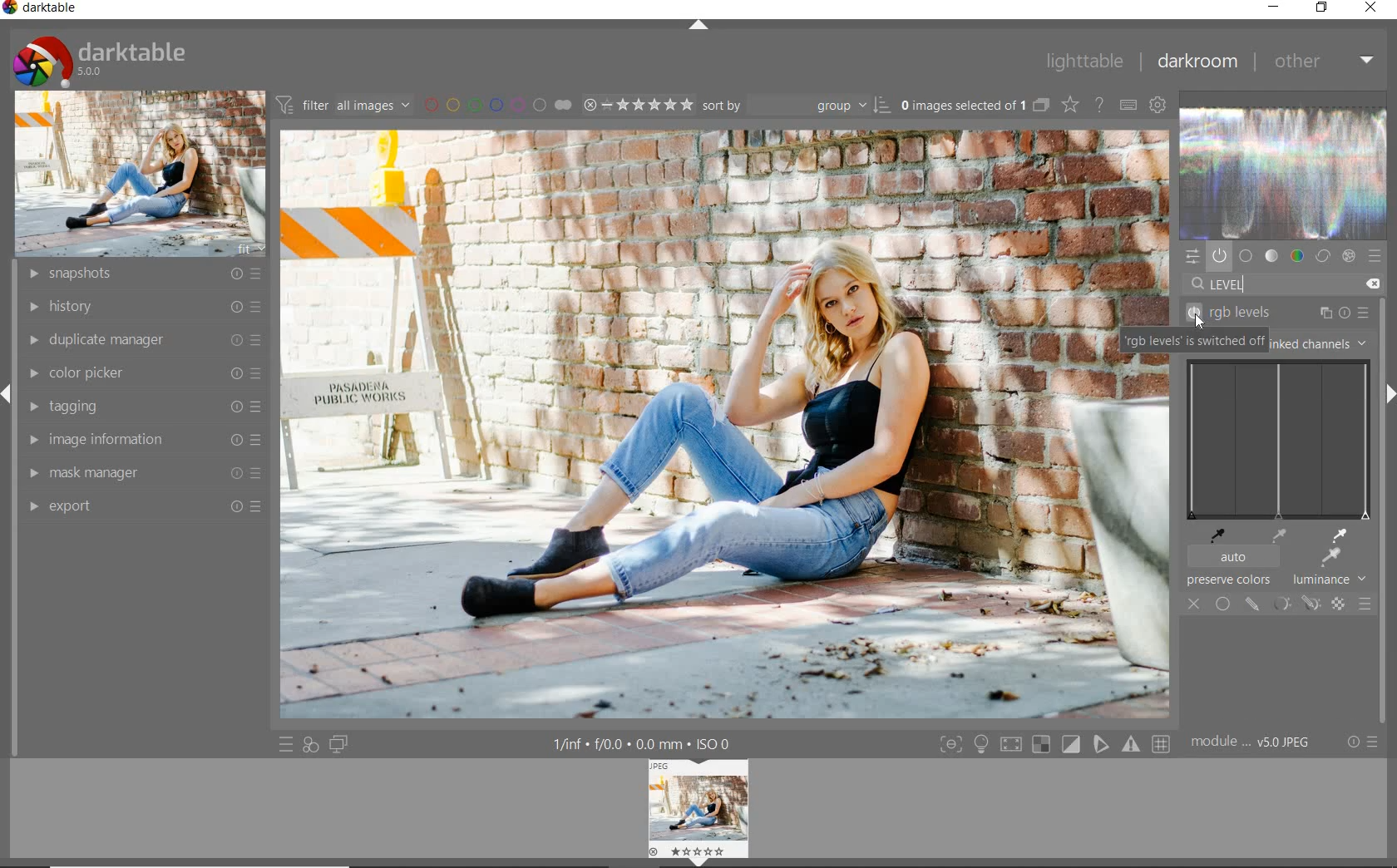 The image size is (1397, 868). I want to click on auto, so click(1235, 557).